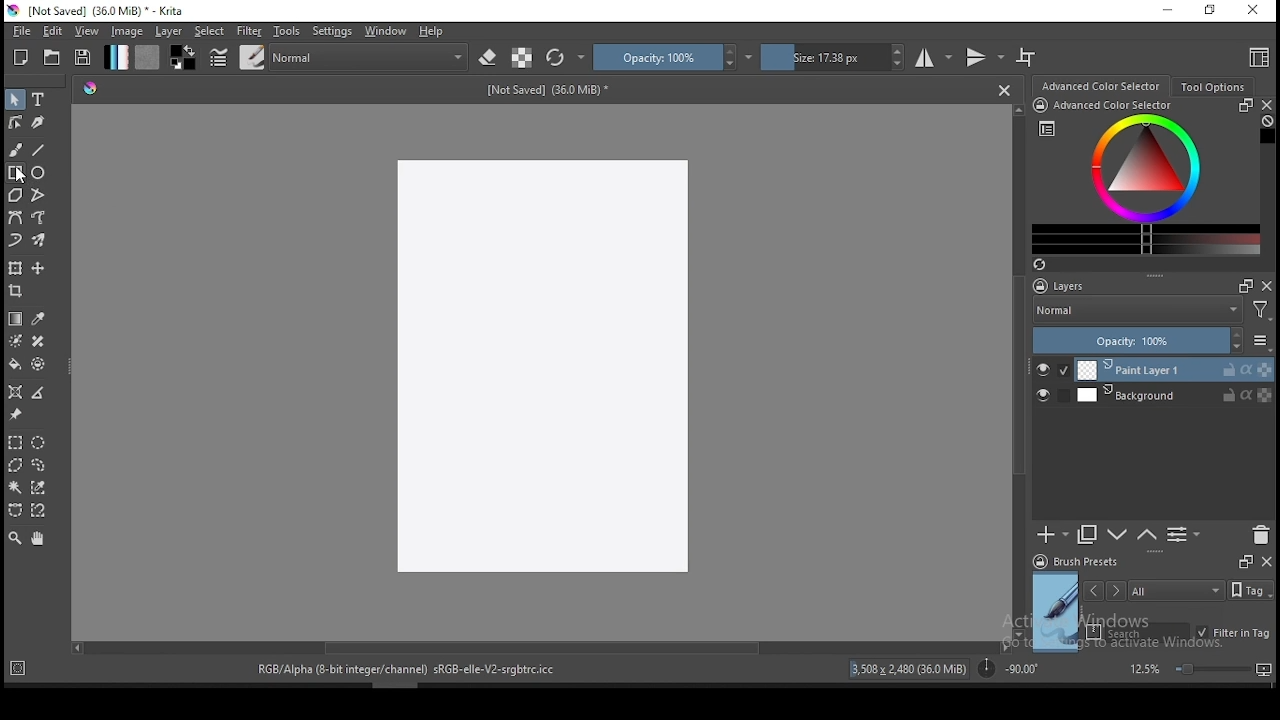  I want to click on preserve alpha, so click(522, 59).